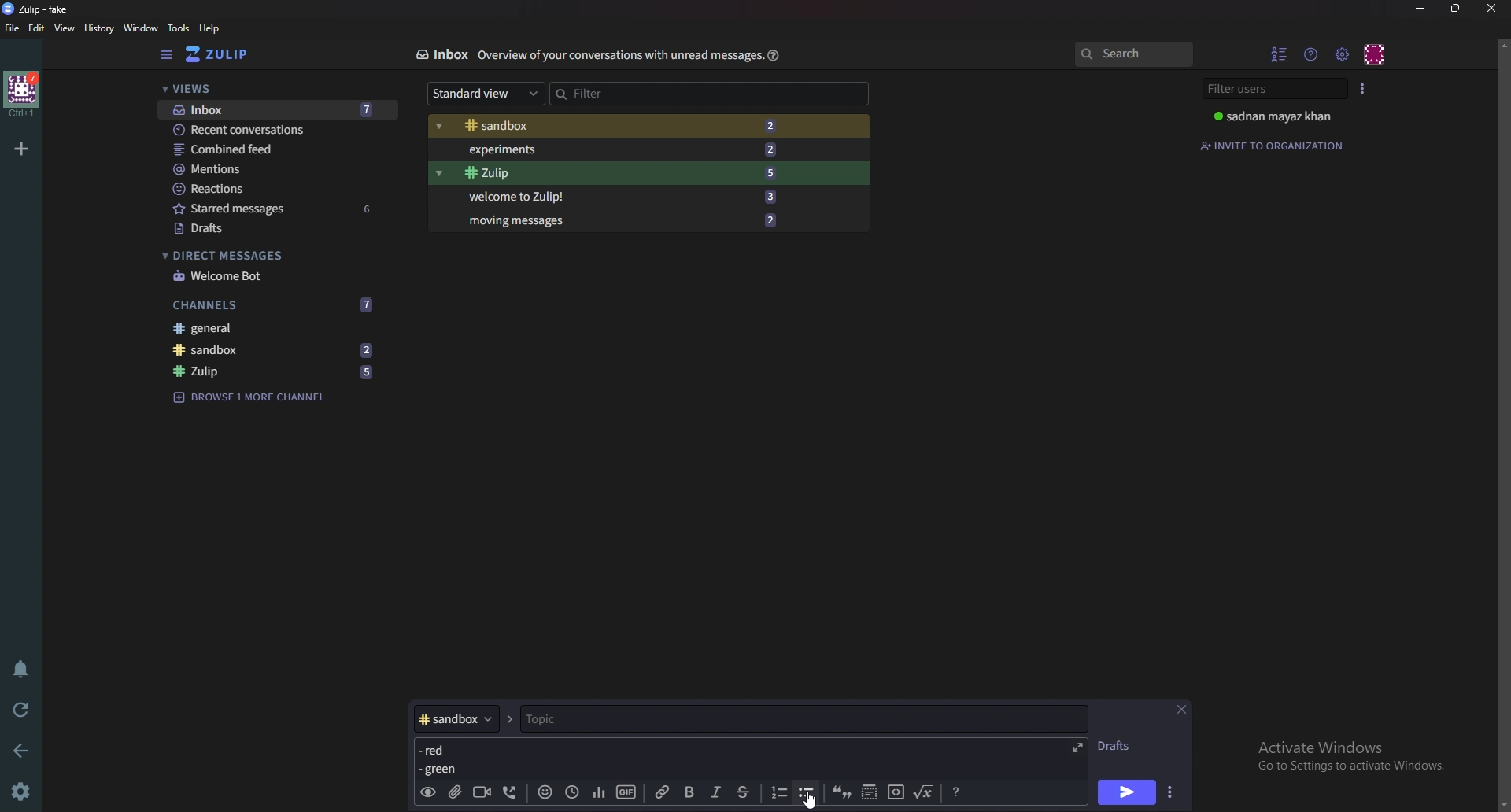  Describe the element at coordinates (276, 111) in the screenshot. I see `Inbox` at that location.